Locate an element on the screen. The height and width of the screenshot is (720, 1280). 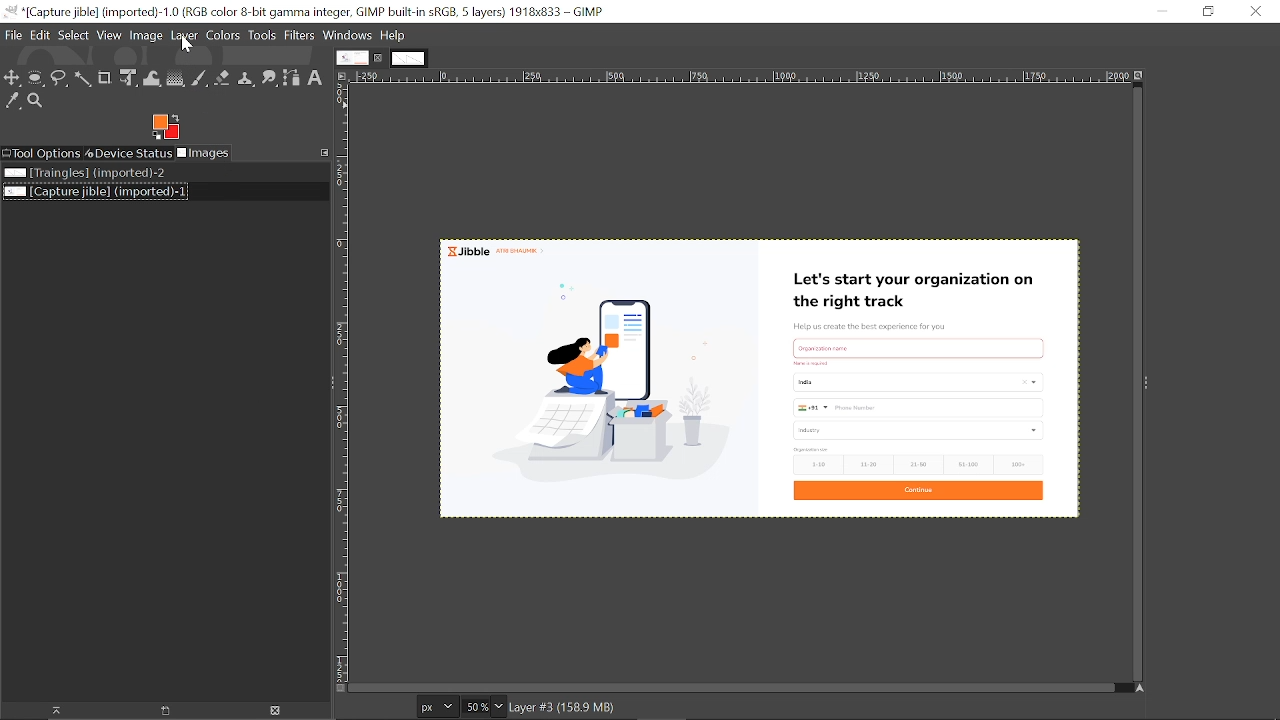
Device status is located at coordinates (129, 154).